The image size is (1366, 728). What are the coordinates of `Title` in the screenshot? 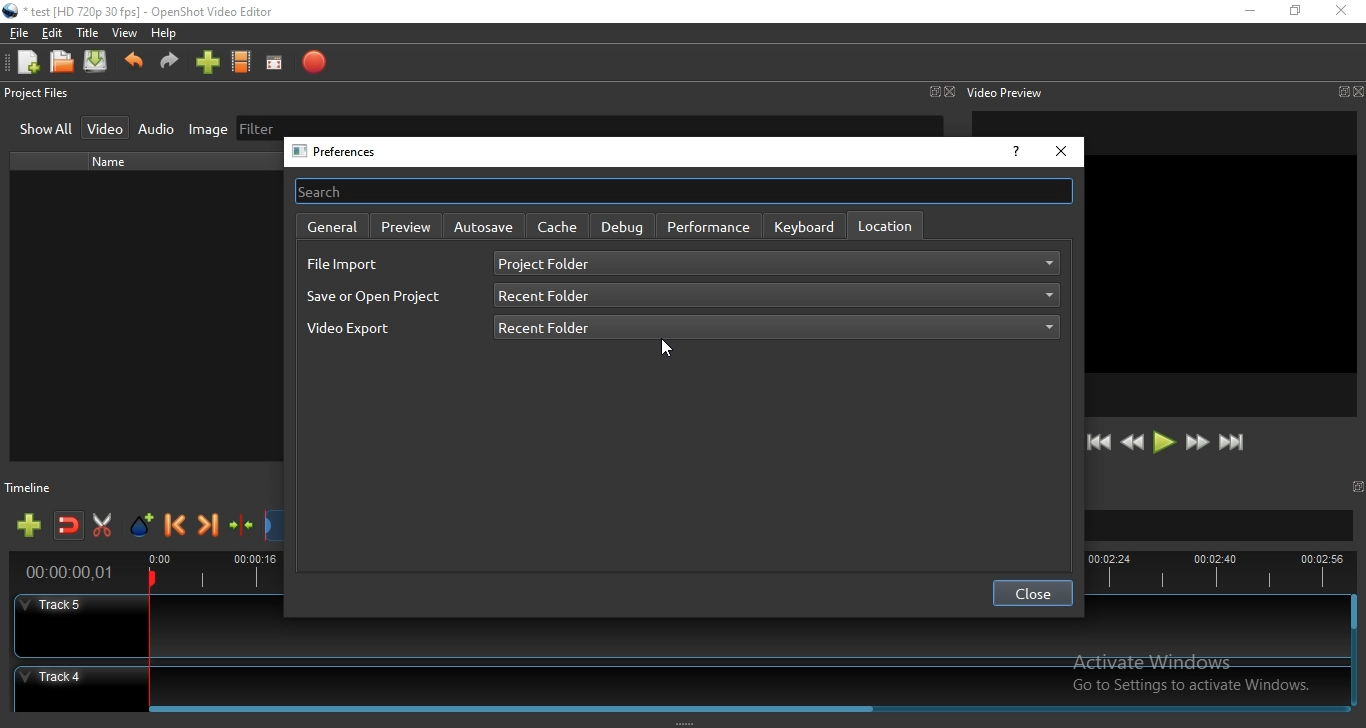 It's located at (88, 33).